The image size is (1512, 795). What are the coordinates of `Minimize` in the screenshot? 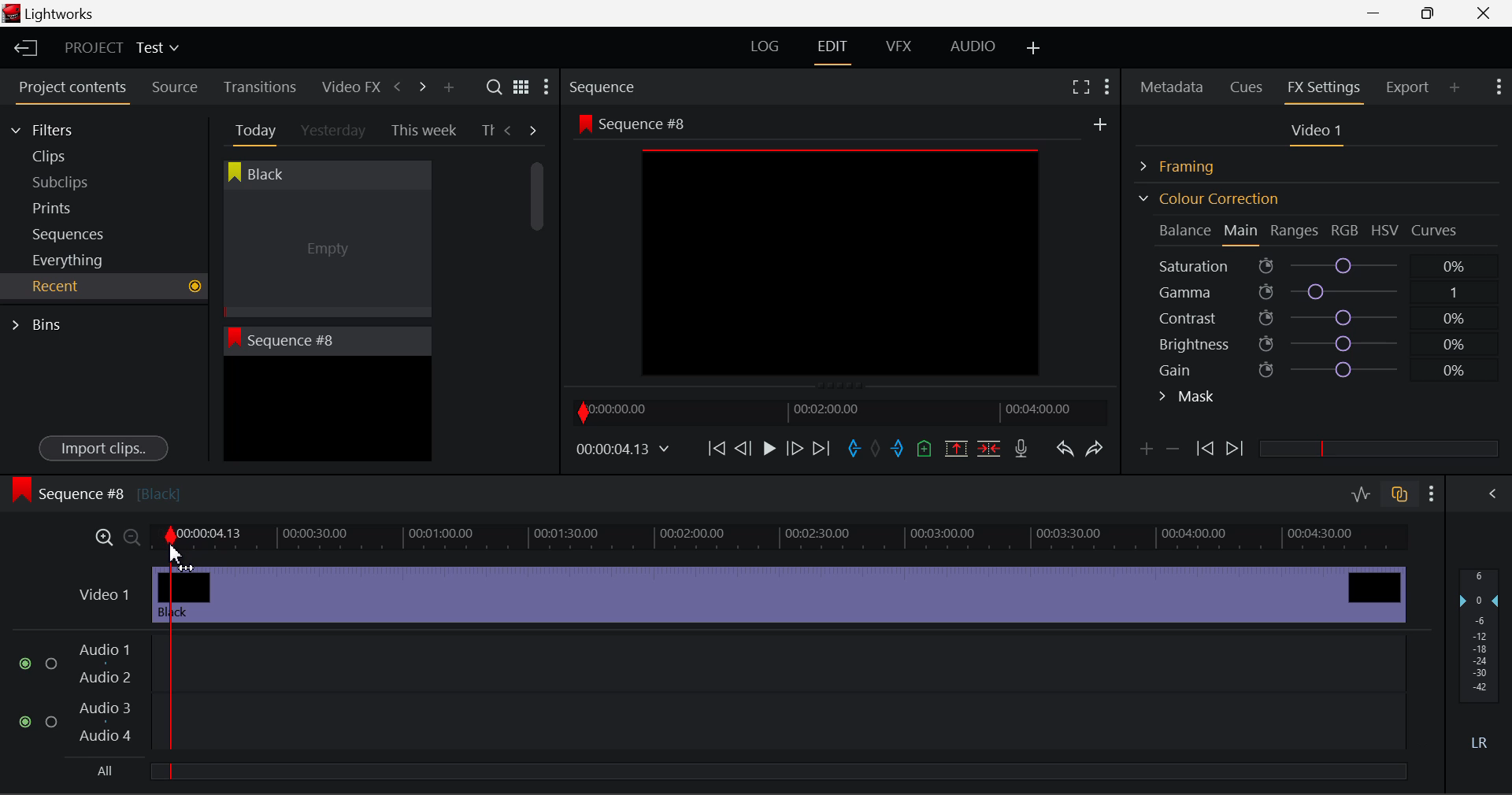 It's located at (1432, 13).